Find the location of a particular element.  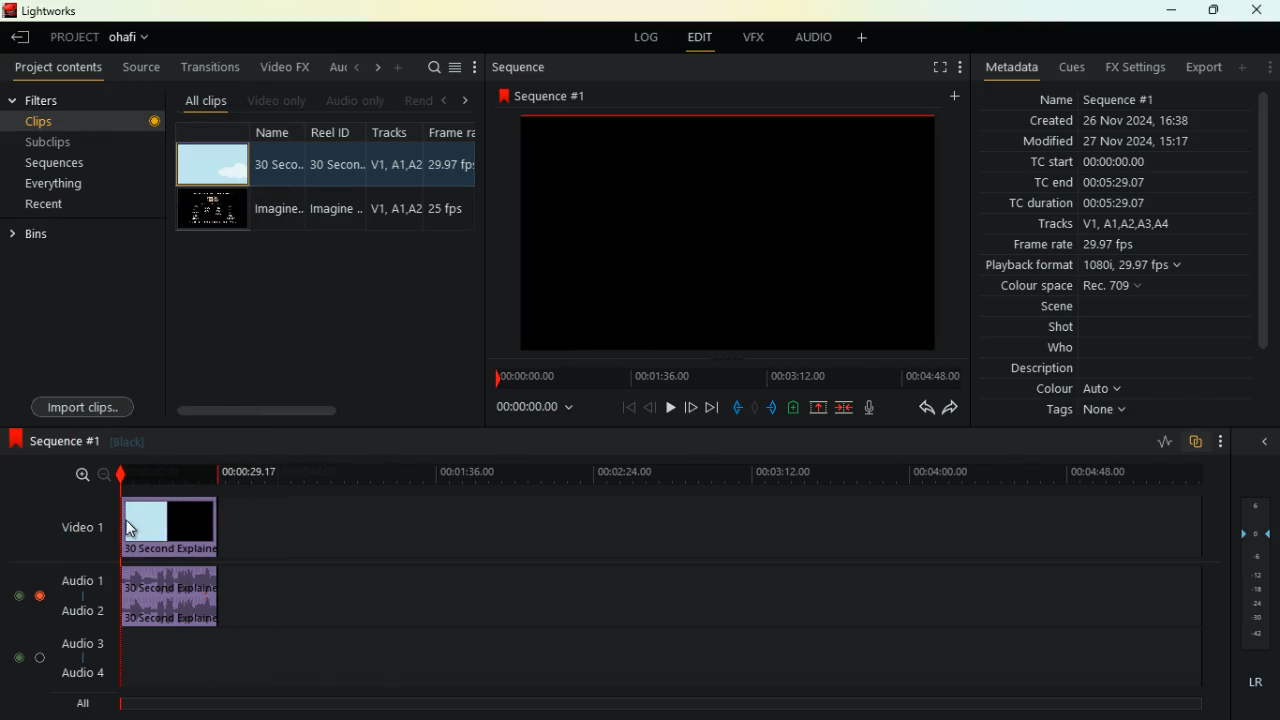

scroll is located at coordinates (1263, 230).